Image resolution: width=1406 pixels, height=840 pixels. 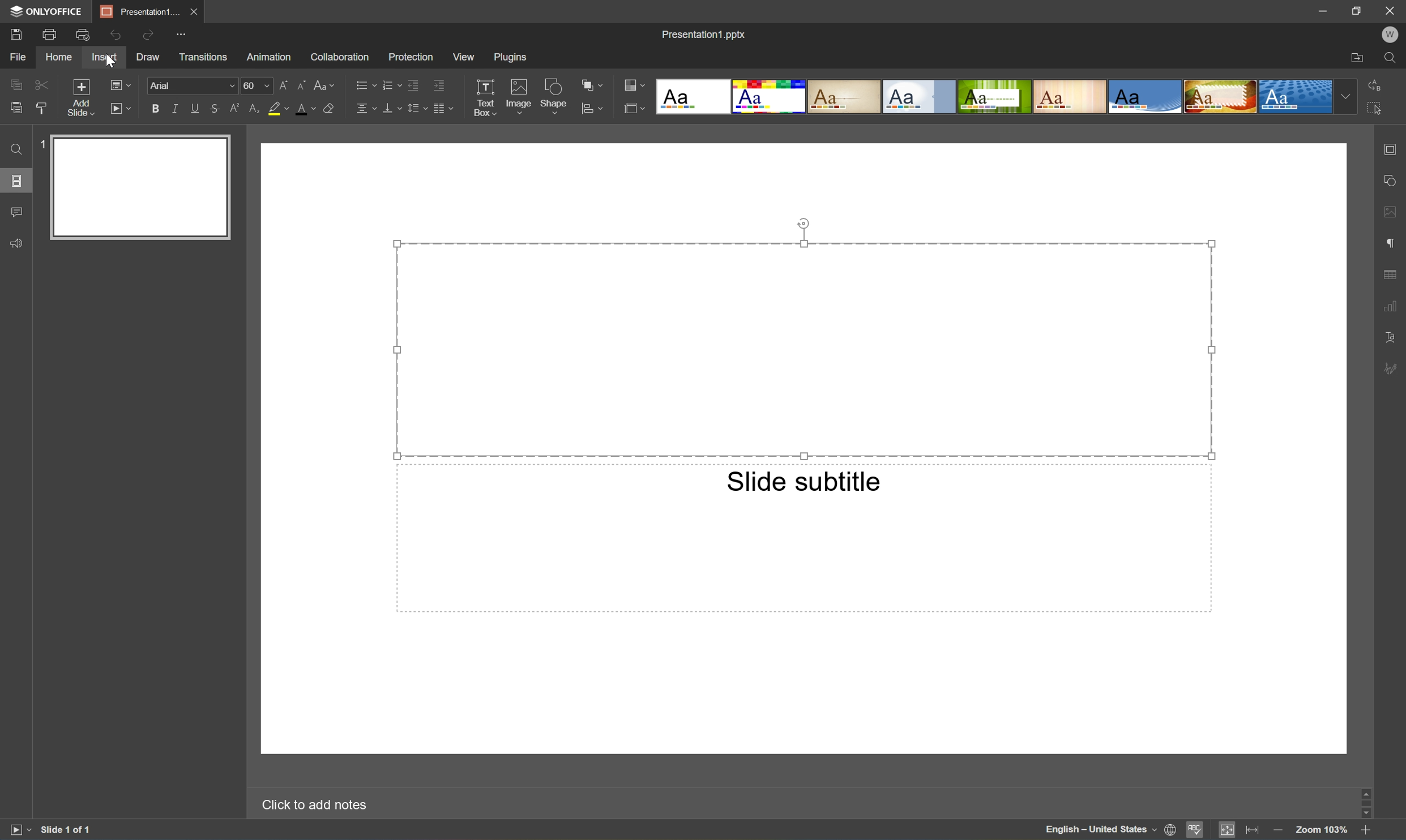 What do you see at coordinates (14, 244) in the screenshot?
I see `Feedback & Support` at bounding box center [14, 244].